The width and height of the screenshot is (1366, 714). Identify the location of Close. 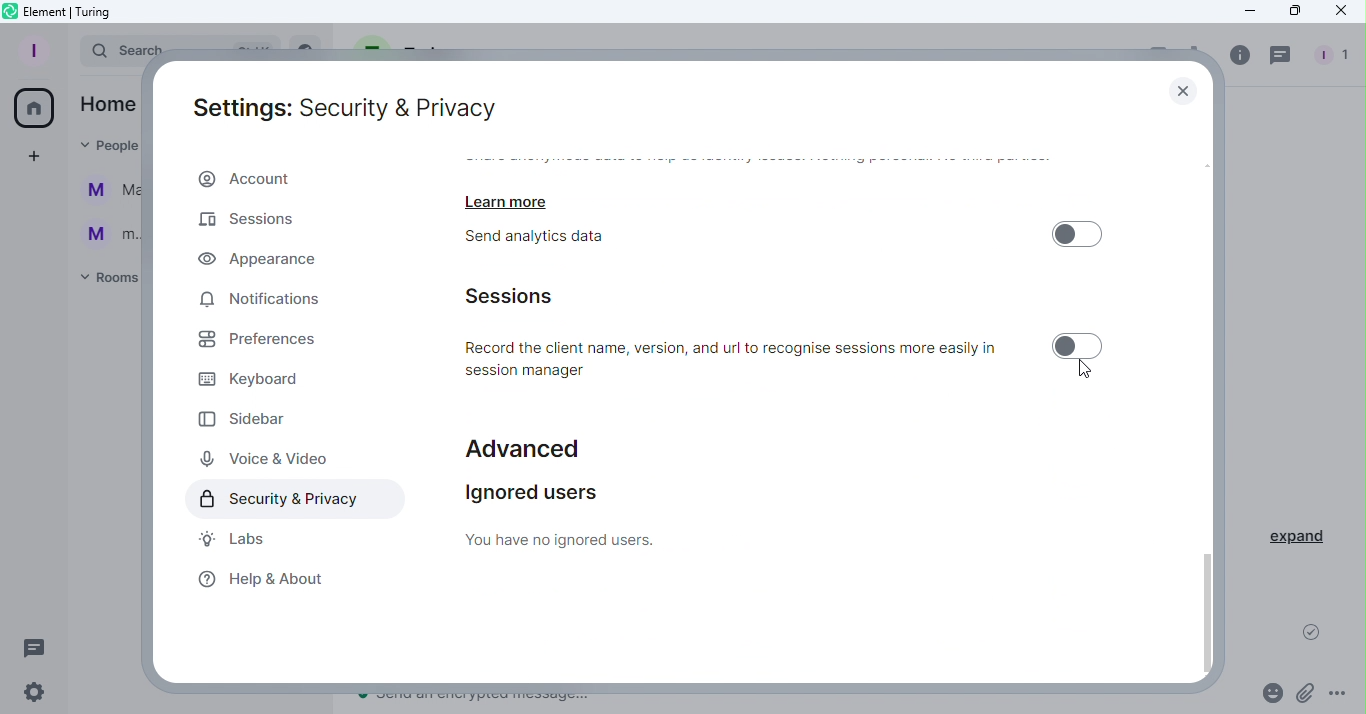
(1339, 13).